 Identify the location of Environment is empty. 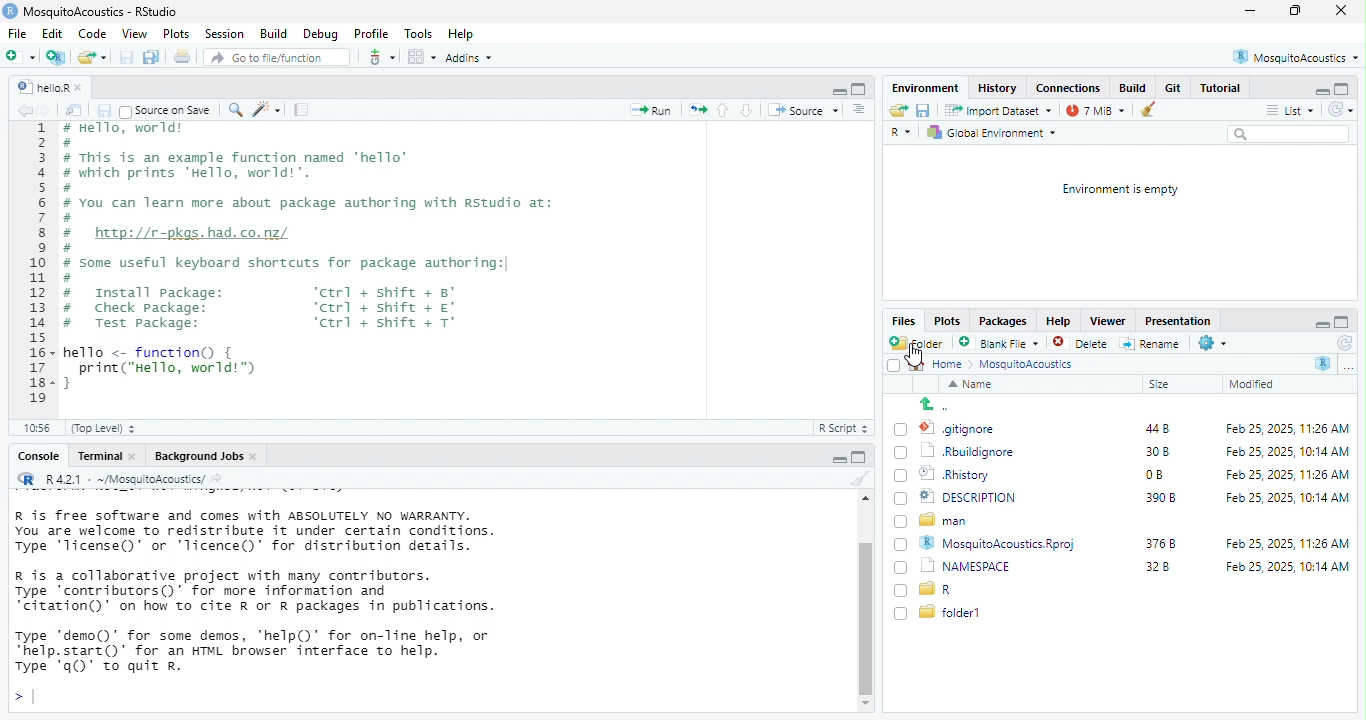
(1113, 190).